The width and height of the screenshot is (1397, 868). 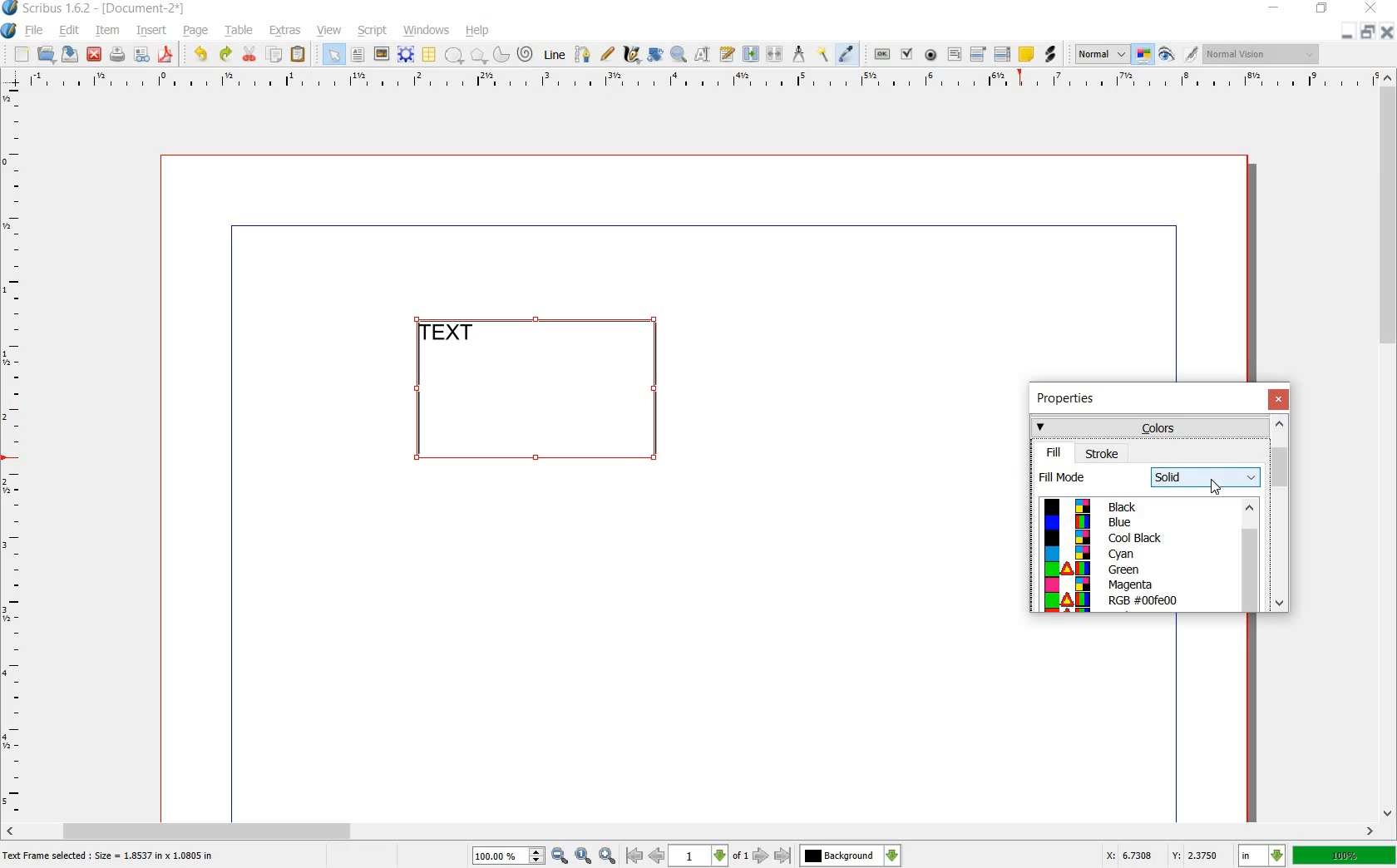 What do you see at coordinates (196, 32) in the screenshot?
I see `page` at bounding box center [196, 32].